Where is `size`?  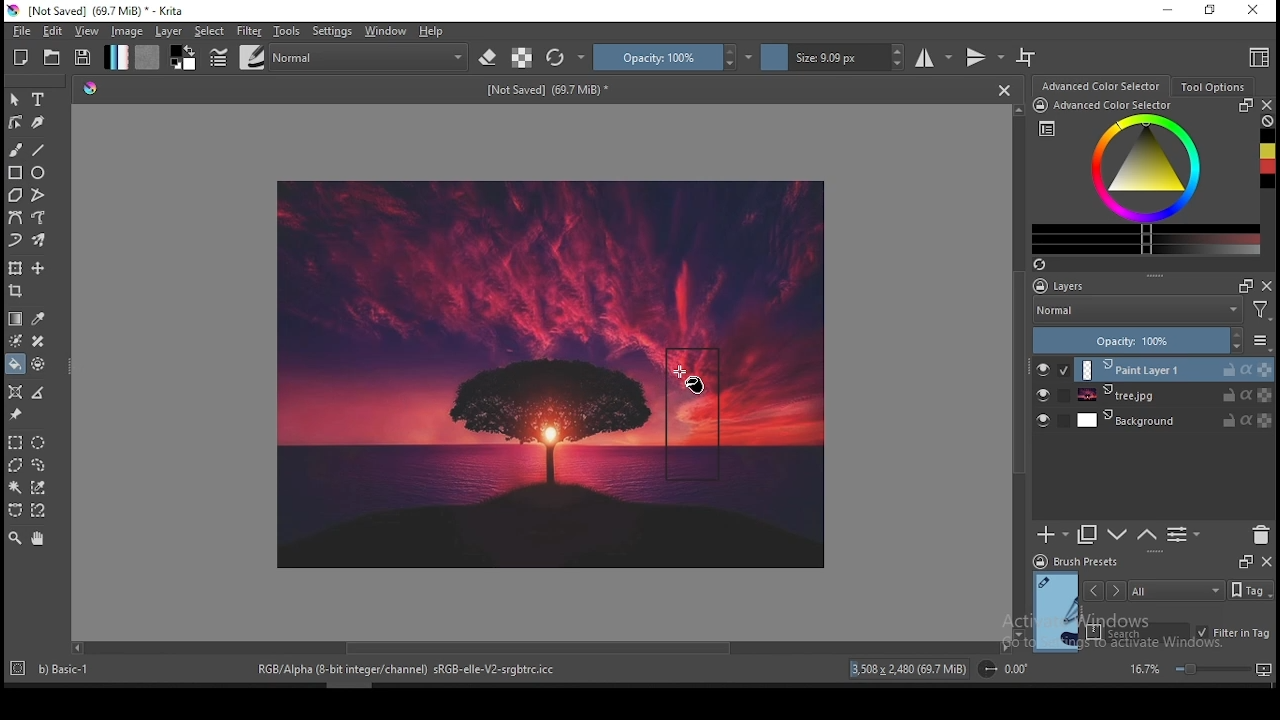
size is located at coordinates (833, 58).